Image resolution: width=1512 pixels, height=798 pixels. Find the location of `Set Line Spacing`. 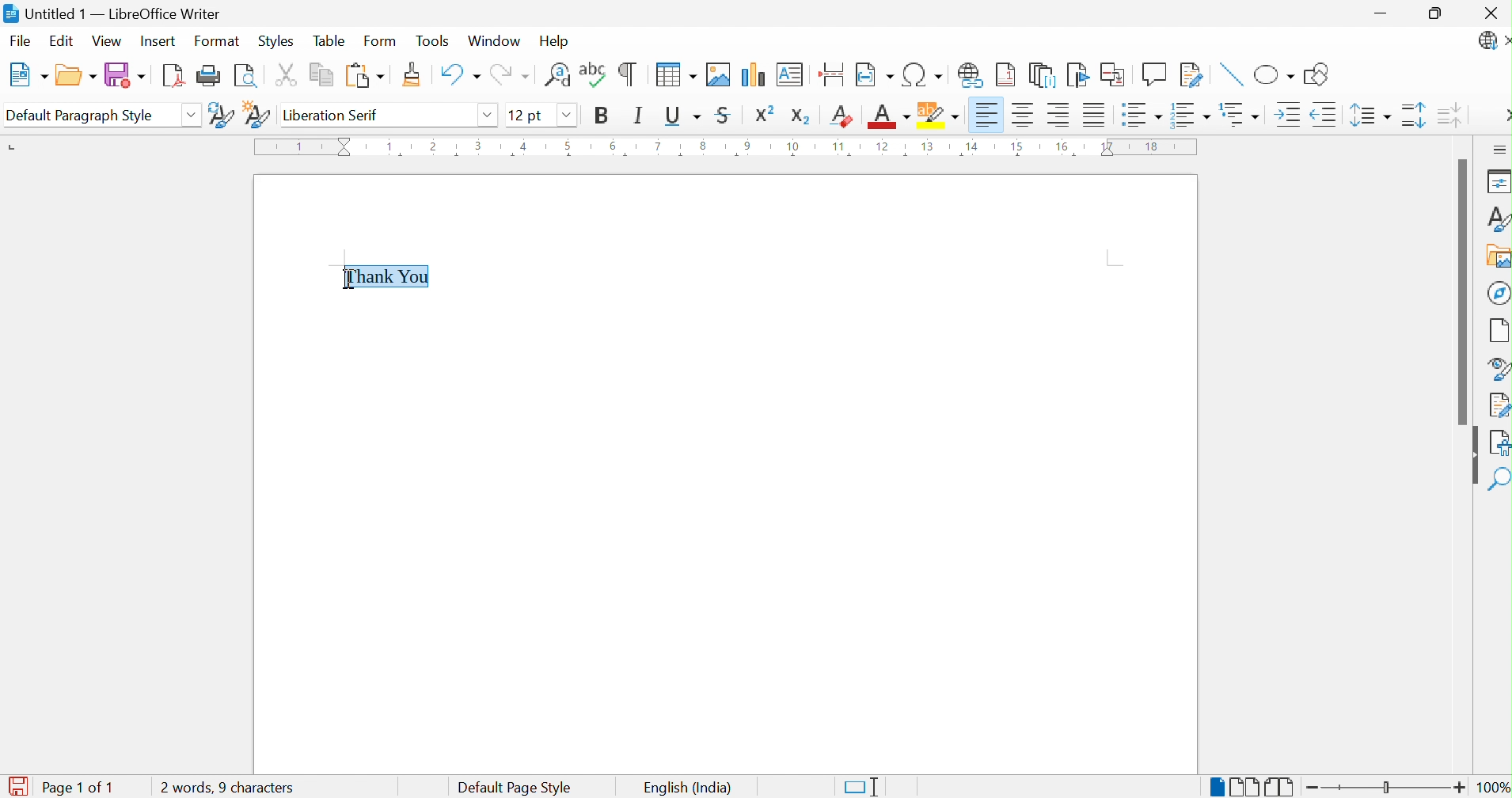

Set Line Spacing is located at coordinates (1370, 117).